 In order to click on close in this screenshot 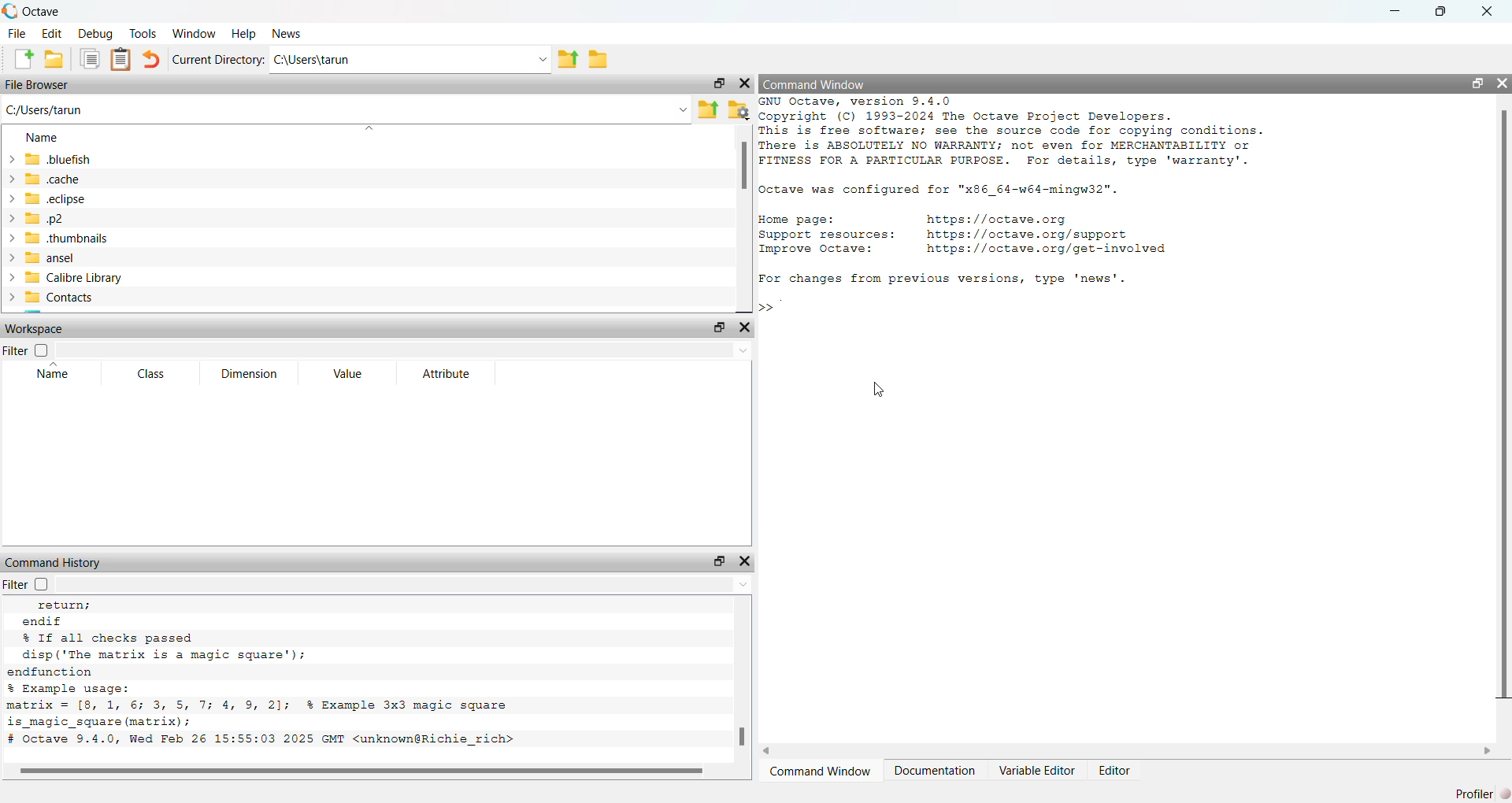, I will do `click(1502, 83)`.